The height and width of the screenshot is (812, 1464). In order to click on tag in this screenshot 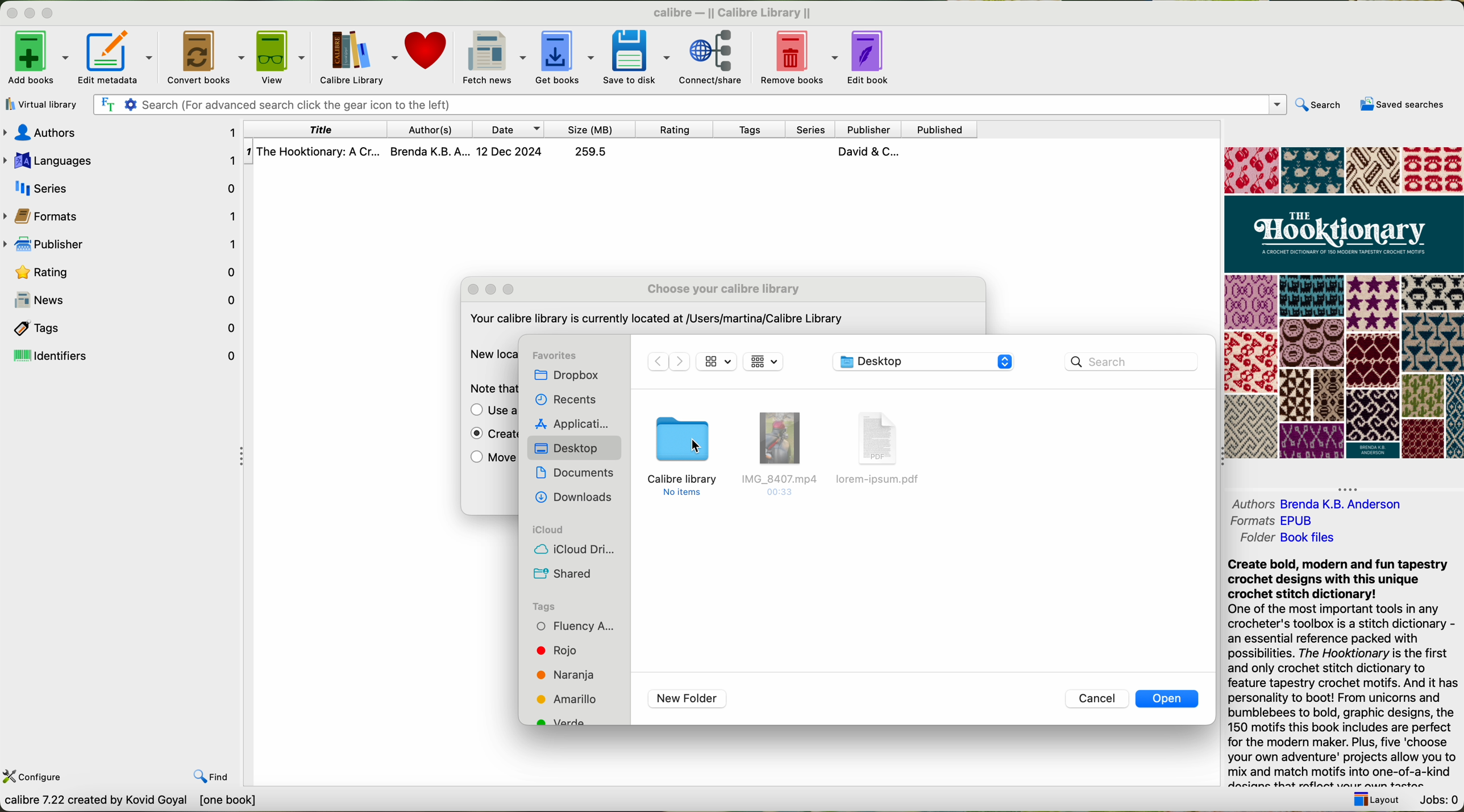, I will do `click(567, 675)`.